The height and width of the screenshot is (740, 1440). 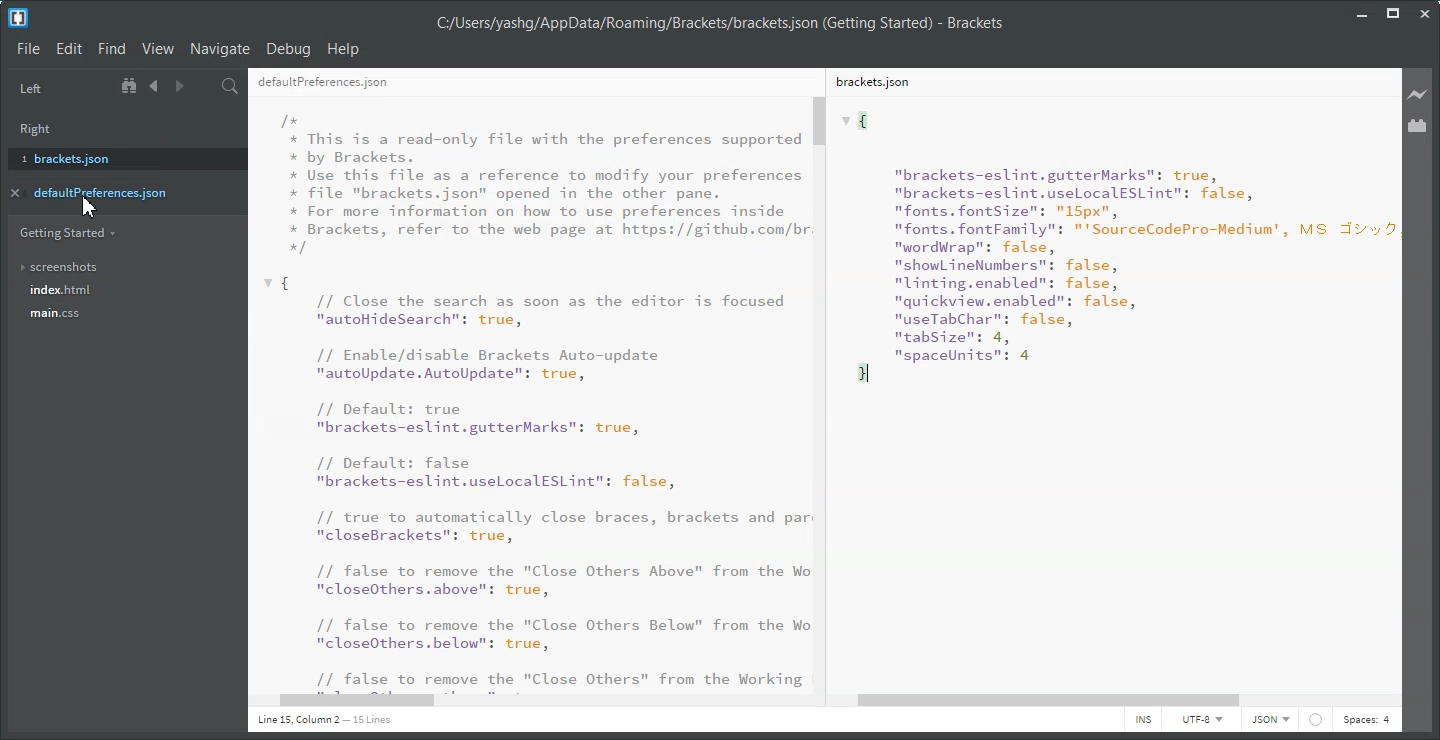 What do you see at coordinates (1395, 378) in the screenshot?
I see `Vertical scroll bar` at bounding box center [1395, 378].